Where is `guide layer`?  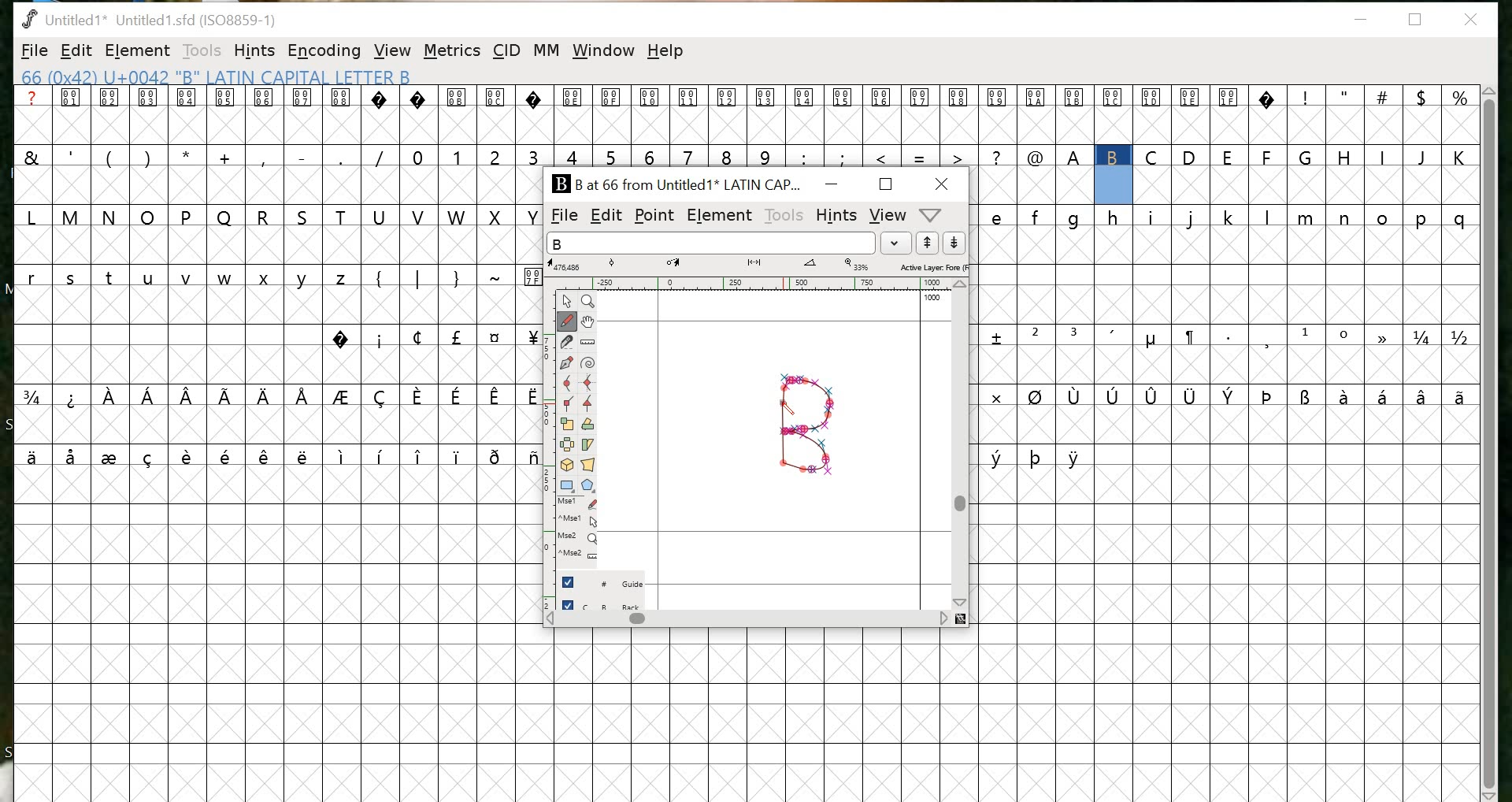
guide layer is located at coordinates (603, 579).